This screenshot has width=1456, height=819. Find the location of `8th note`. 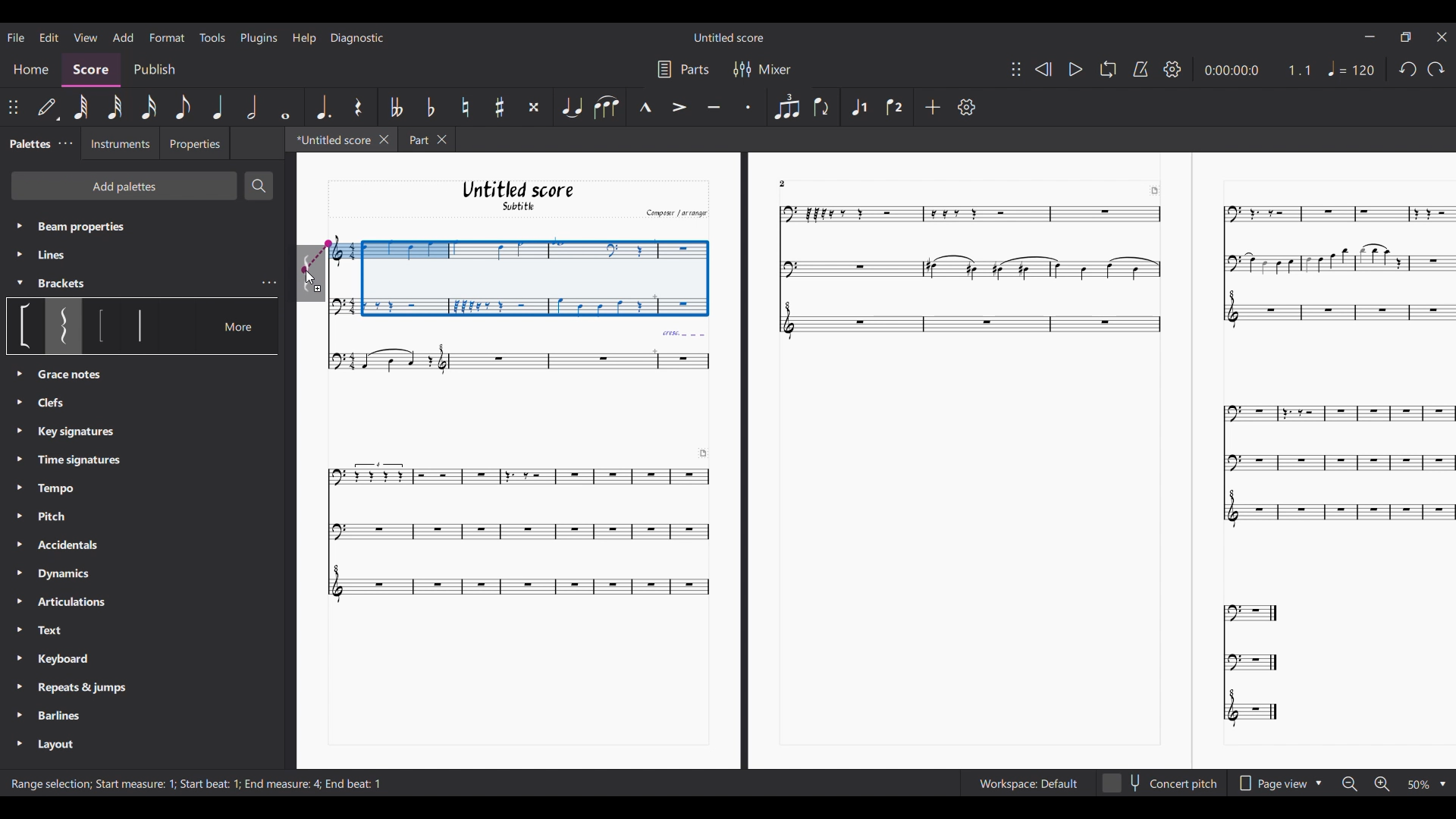

8th note is located at coordinates (183, 107).